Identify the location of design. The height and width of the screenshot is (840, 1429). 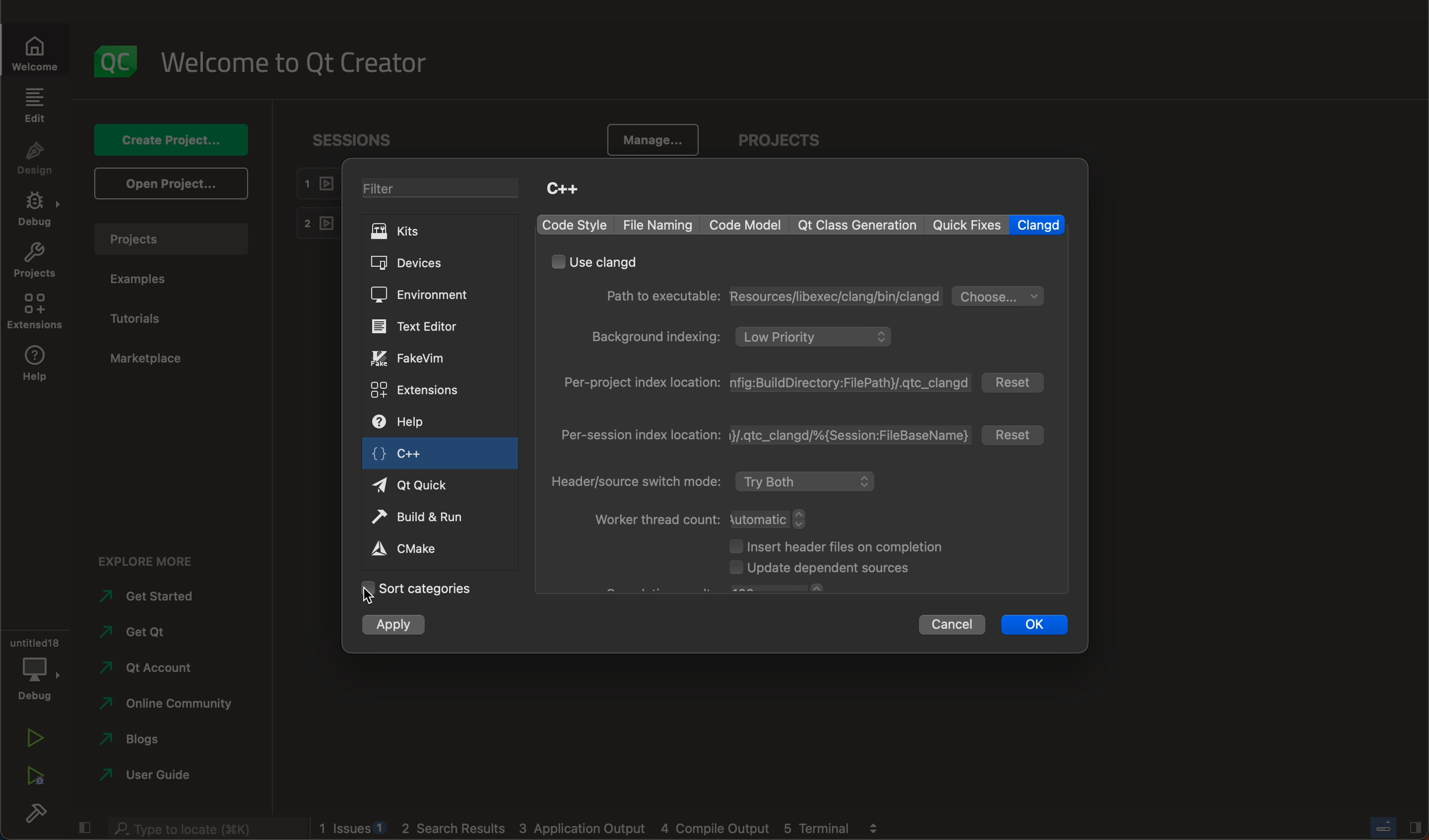
(34, 159).